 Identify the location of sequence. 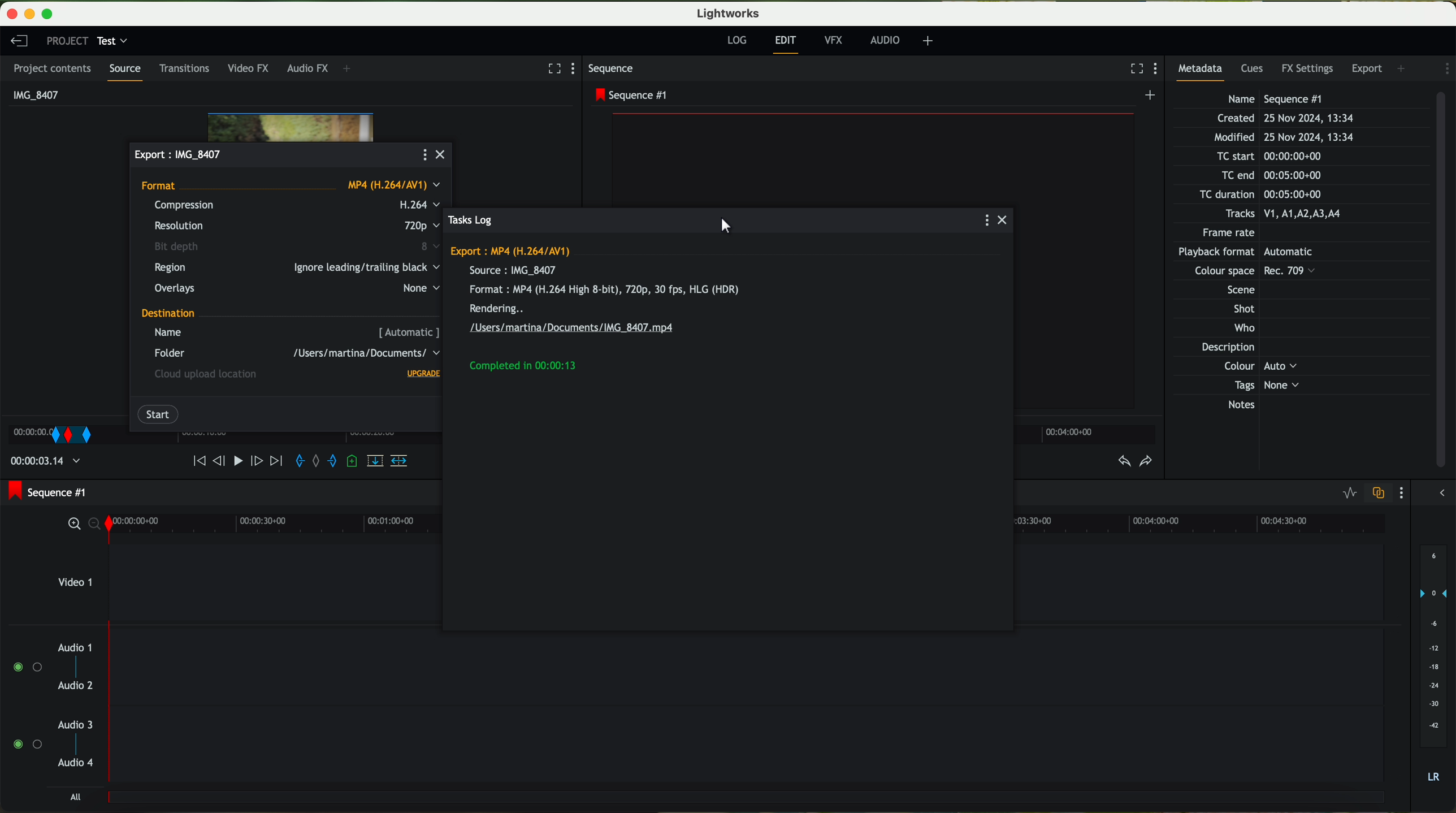
(615, 70).